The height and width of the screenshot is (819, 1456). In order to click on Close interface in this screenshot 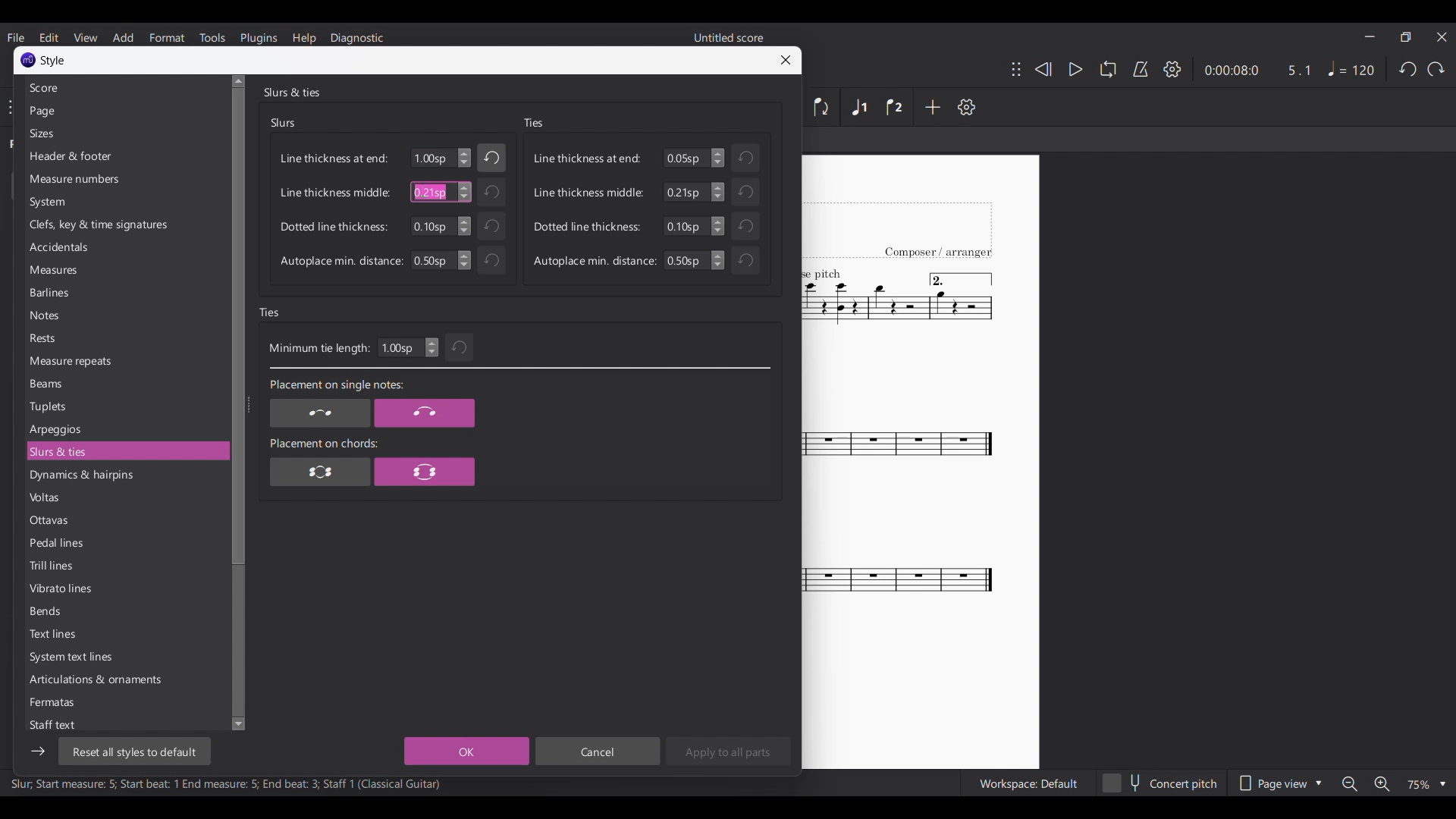, I will do `click(1442, 37)`.